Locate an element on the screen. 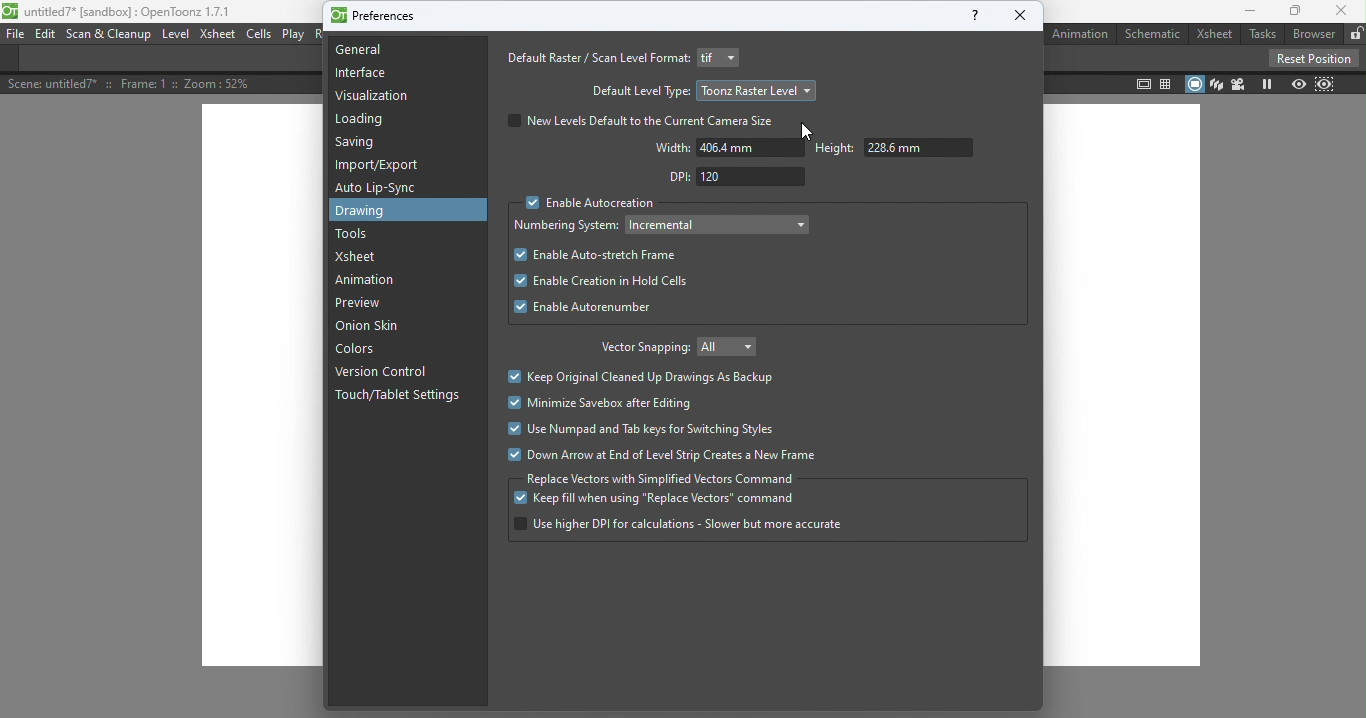 The width and height of the screenshot is (1366, 718). Scan & Cleanup is located at coordinates (111, 37).